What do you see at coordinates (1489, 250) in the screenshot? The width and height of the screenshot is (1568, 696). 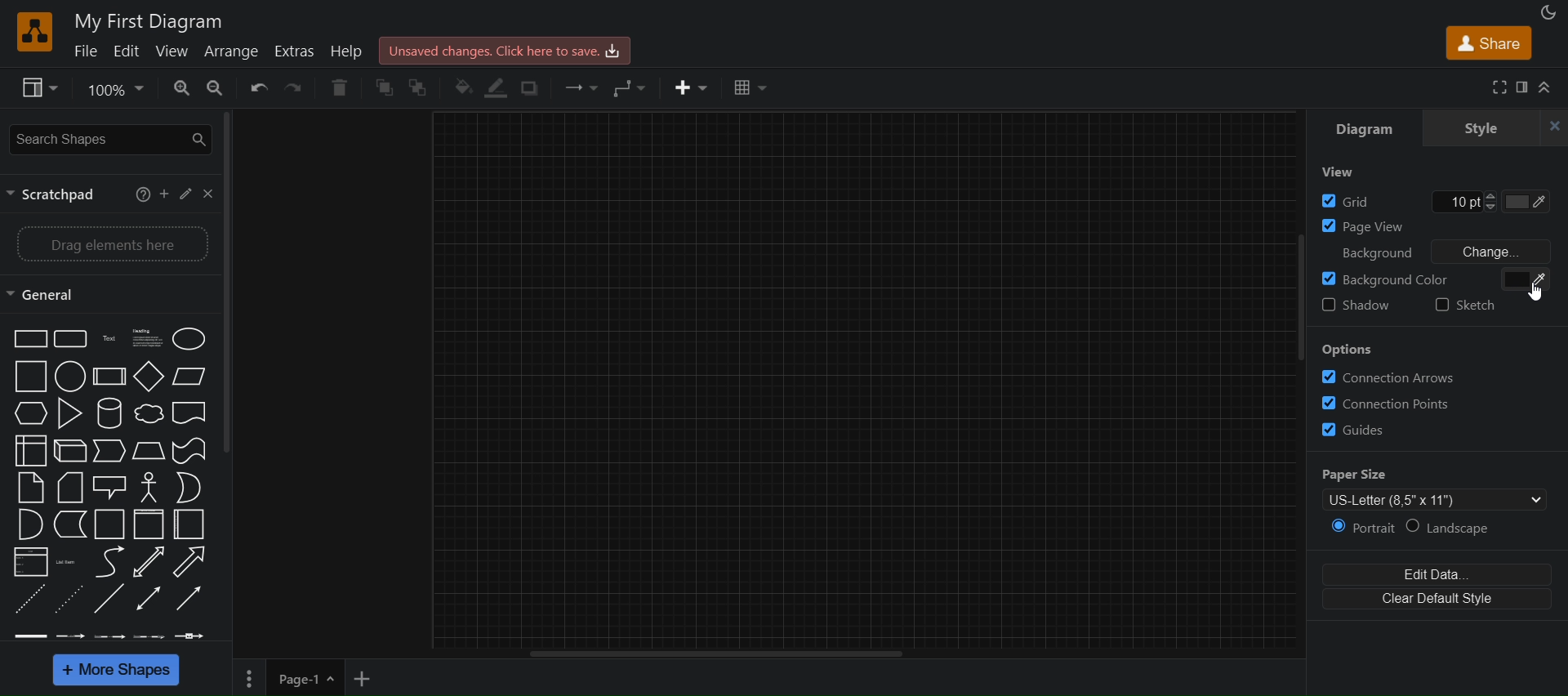 I see `change` at bounding box center [1489, 250].